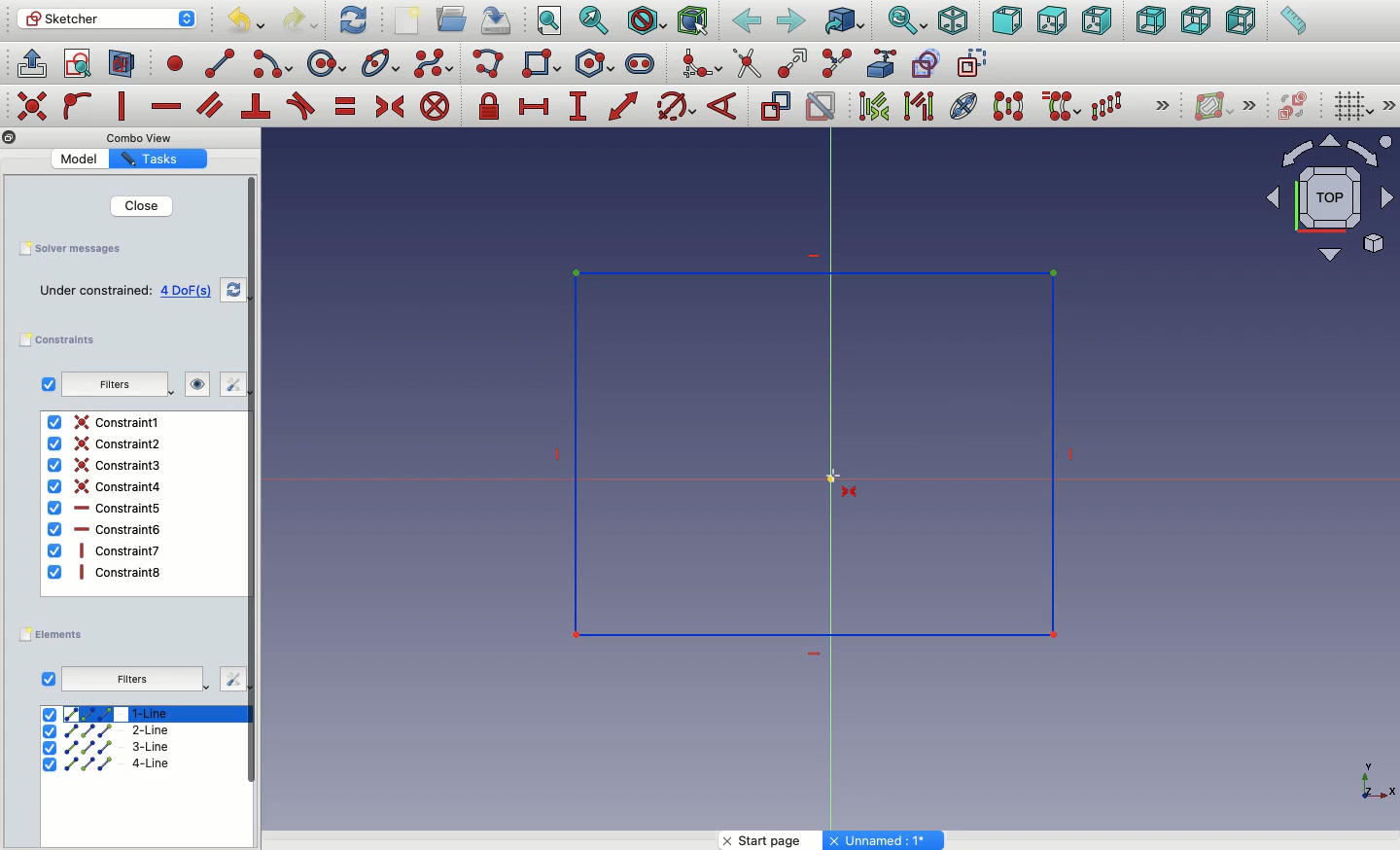 The width and height of the screenshot is (1400, 850). Describe the element at coordinates (346, 106) in the screenshot. I see `constrain equal` at that location.